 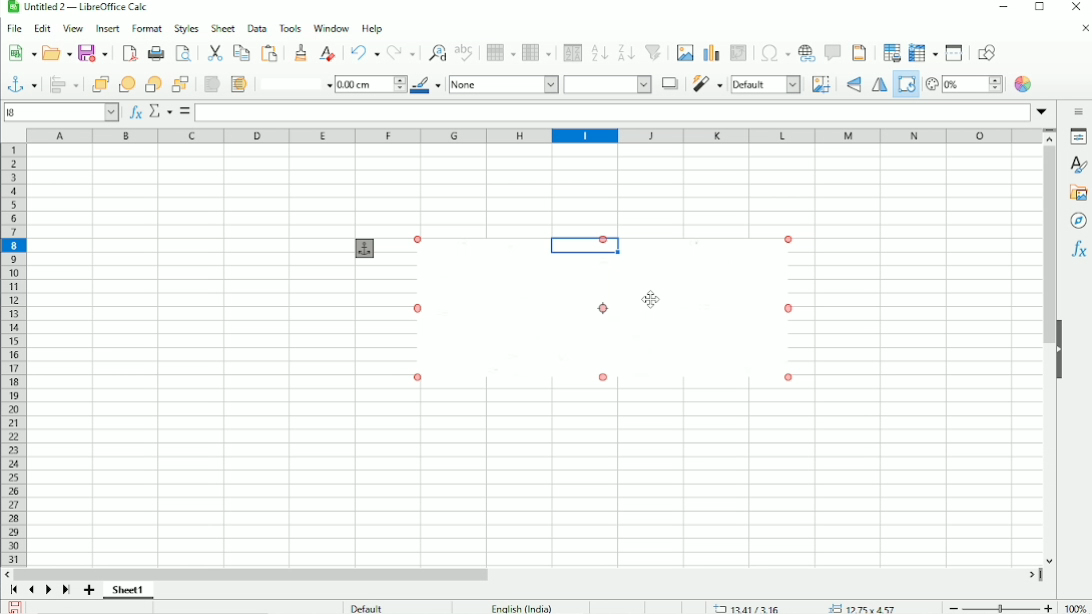 I want to click on Clone formatting, so click(x=299, y=53).